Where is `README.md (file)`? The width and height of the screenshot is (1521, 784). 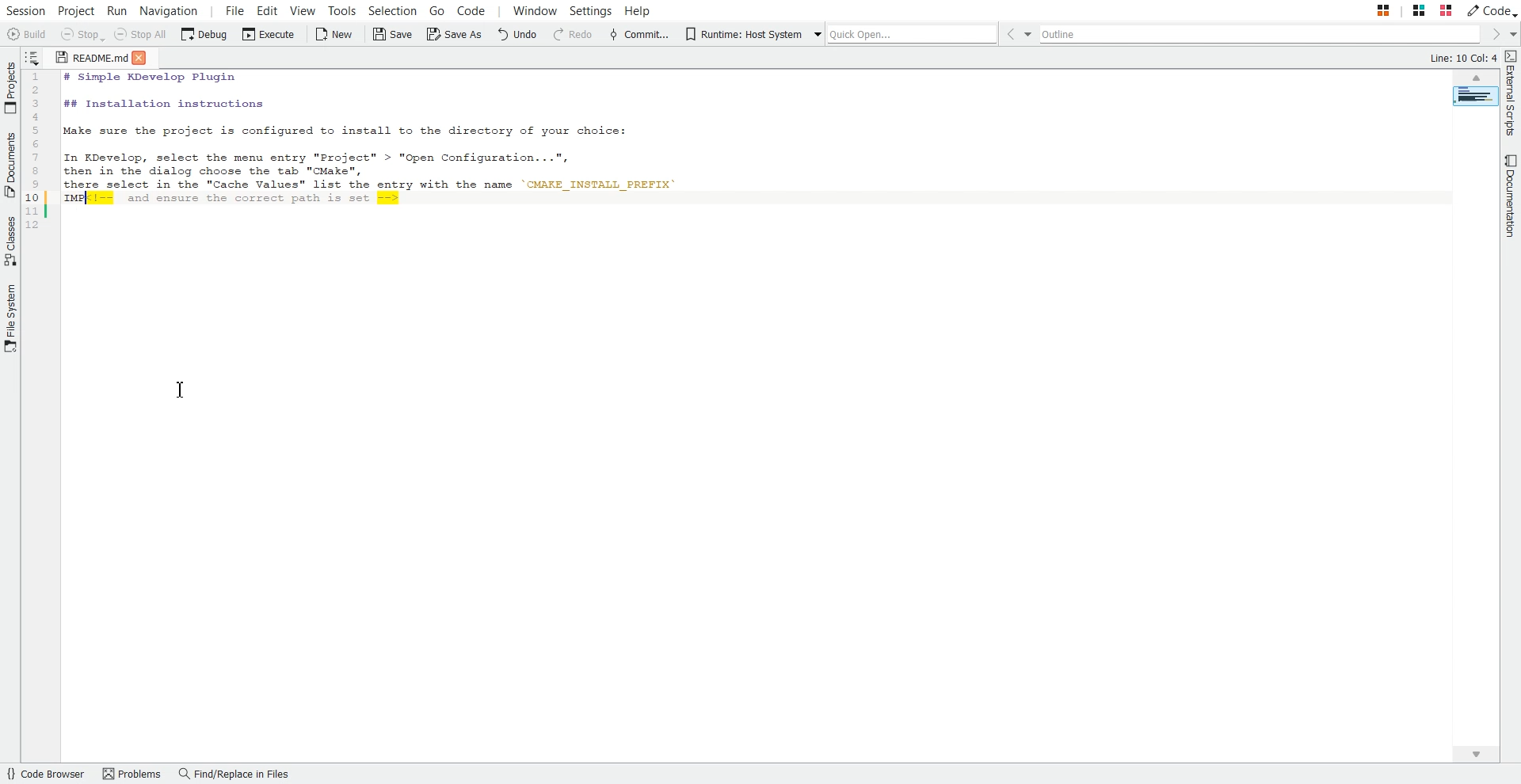 README.md (file) is located at coordinates (86, 57).